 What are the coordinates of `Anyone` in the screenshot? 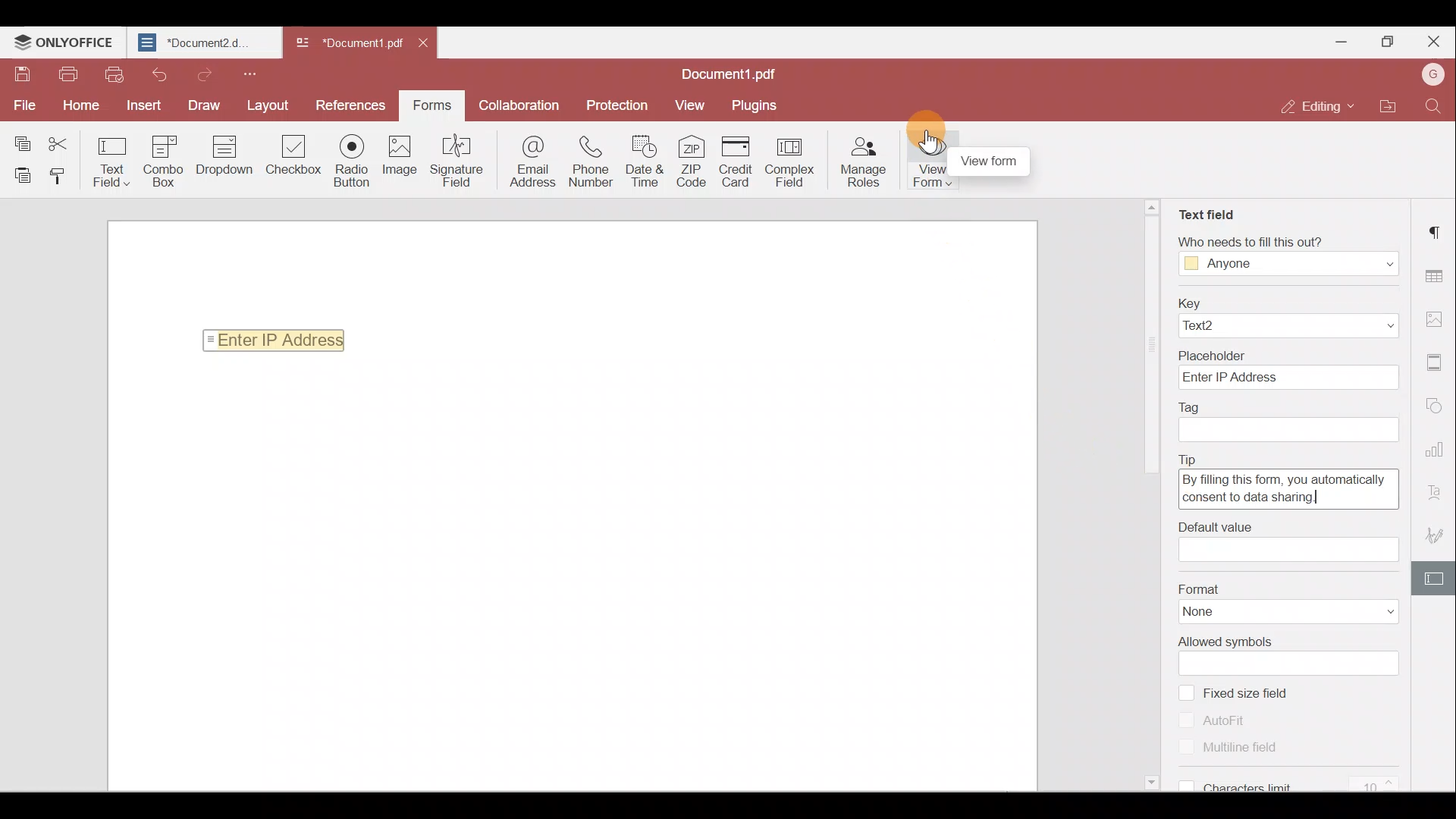 It's located at (1230, 265).